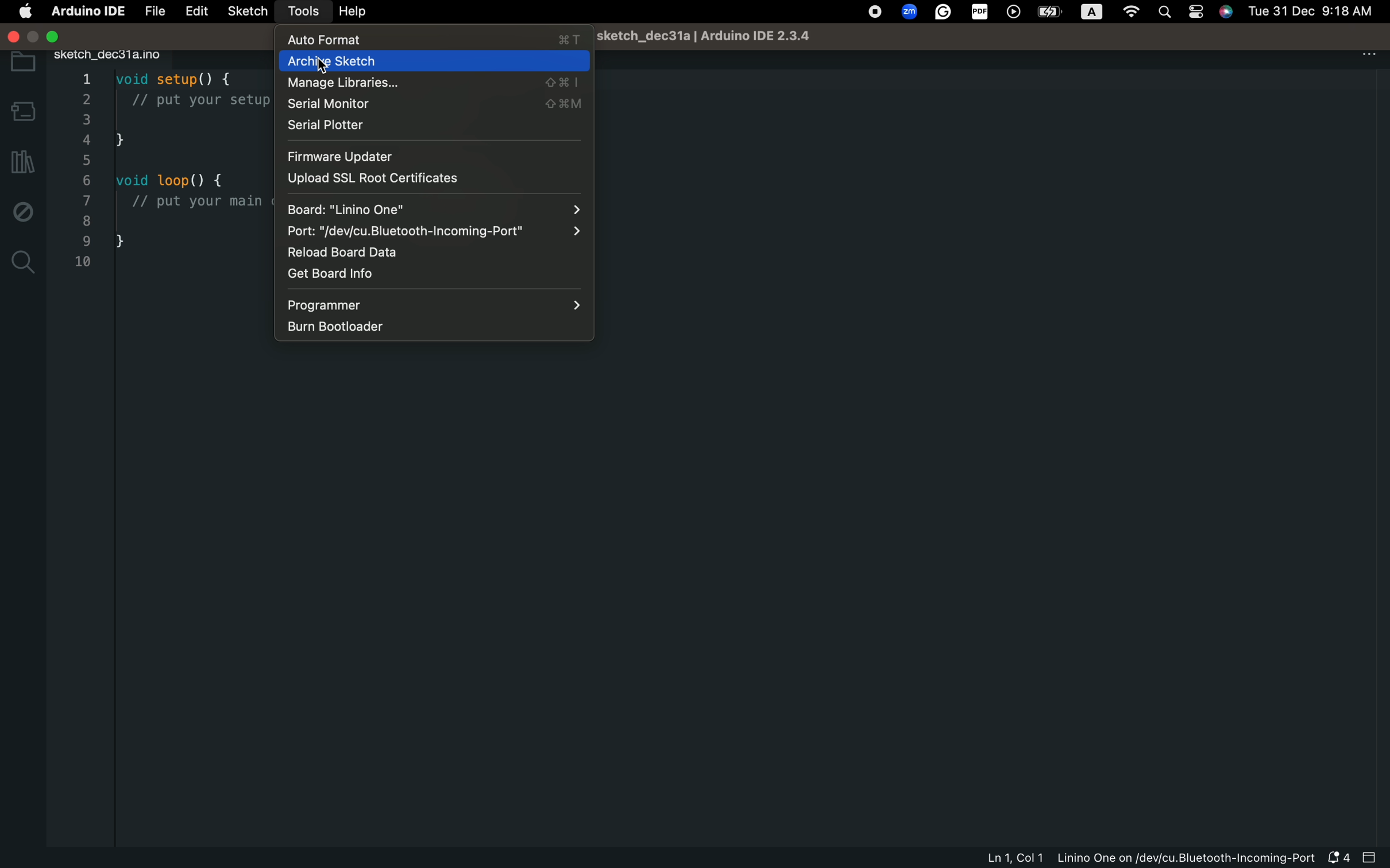 This screenshot has height=868, width=1390. What do you see at coordinates (243, 11) in the screenshot?
I see `sketch` at bounding box center [243, 11].